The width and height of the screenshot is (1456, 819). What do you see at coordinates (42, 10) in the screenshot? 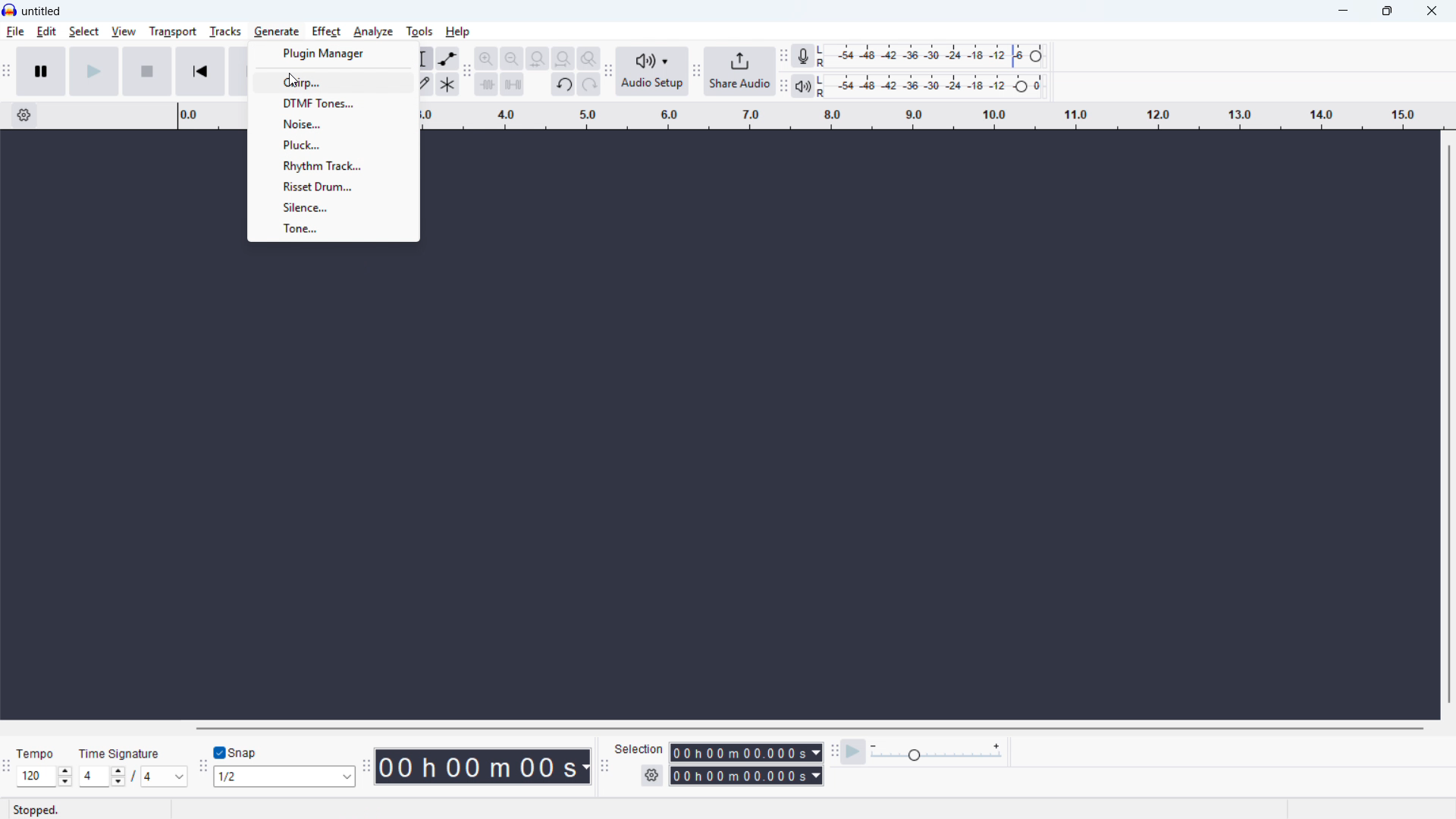
I see `untitled` at bounding box center [42, 10].